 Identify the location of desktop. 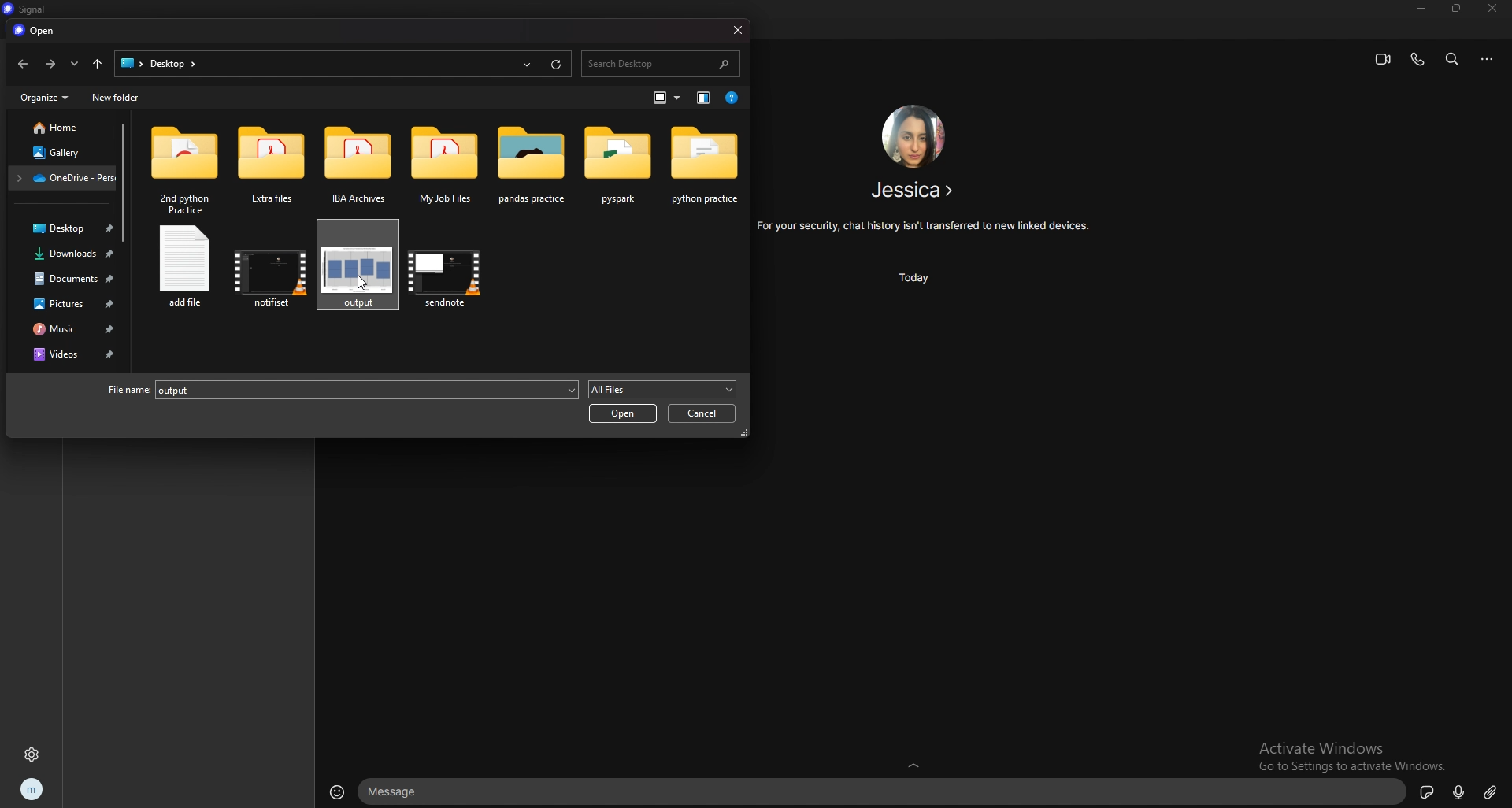
(64, 230).